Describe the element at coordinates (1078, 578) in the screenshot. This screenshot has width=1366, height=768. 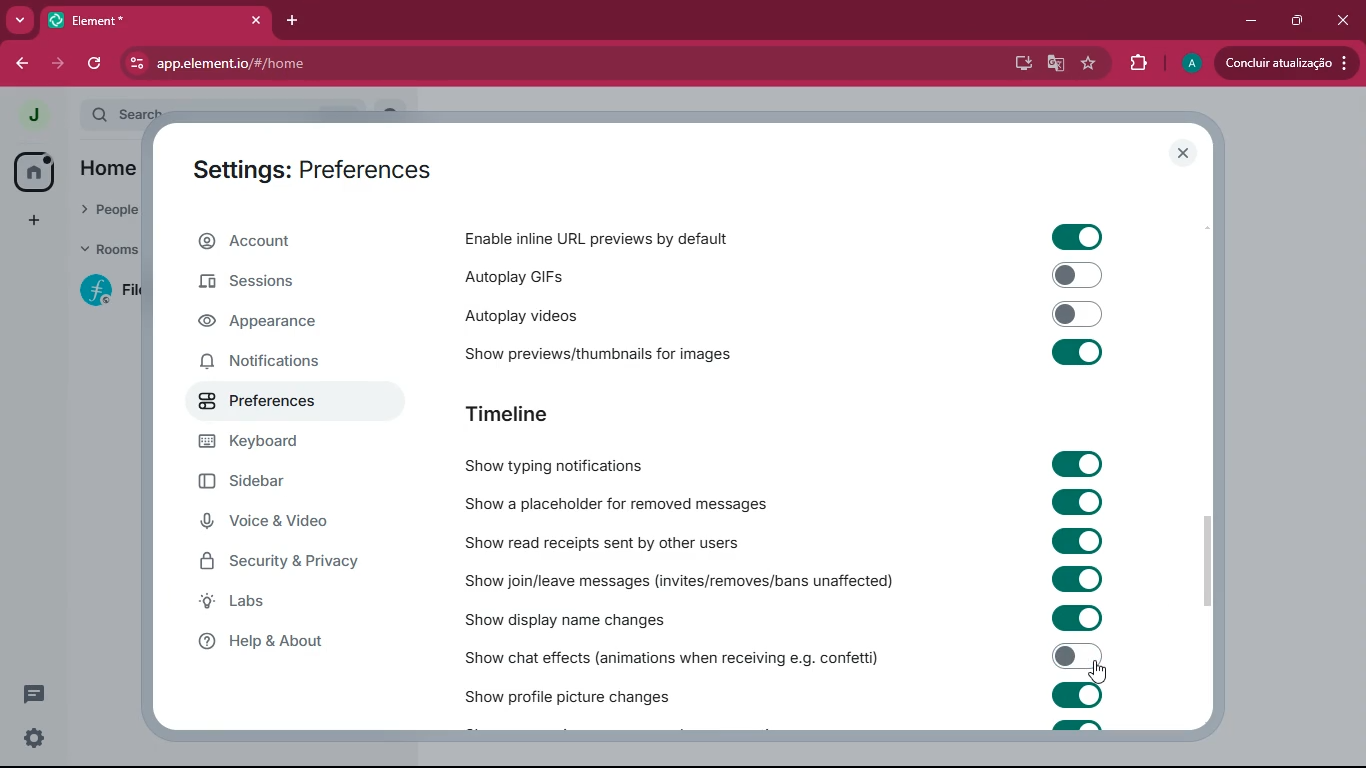
I see `toggle on/off` at that location.